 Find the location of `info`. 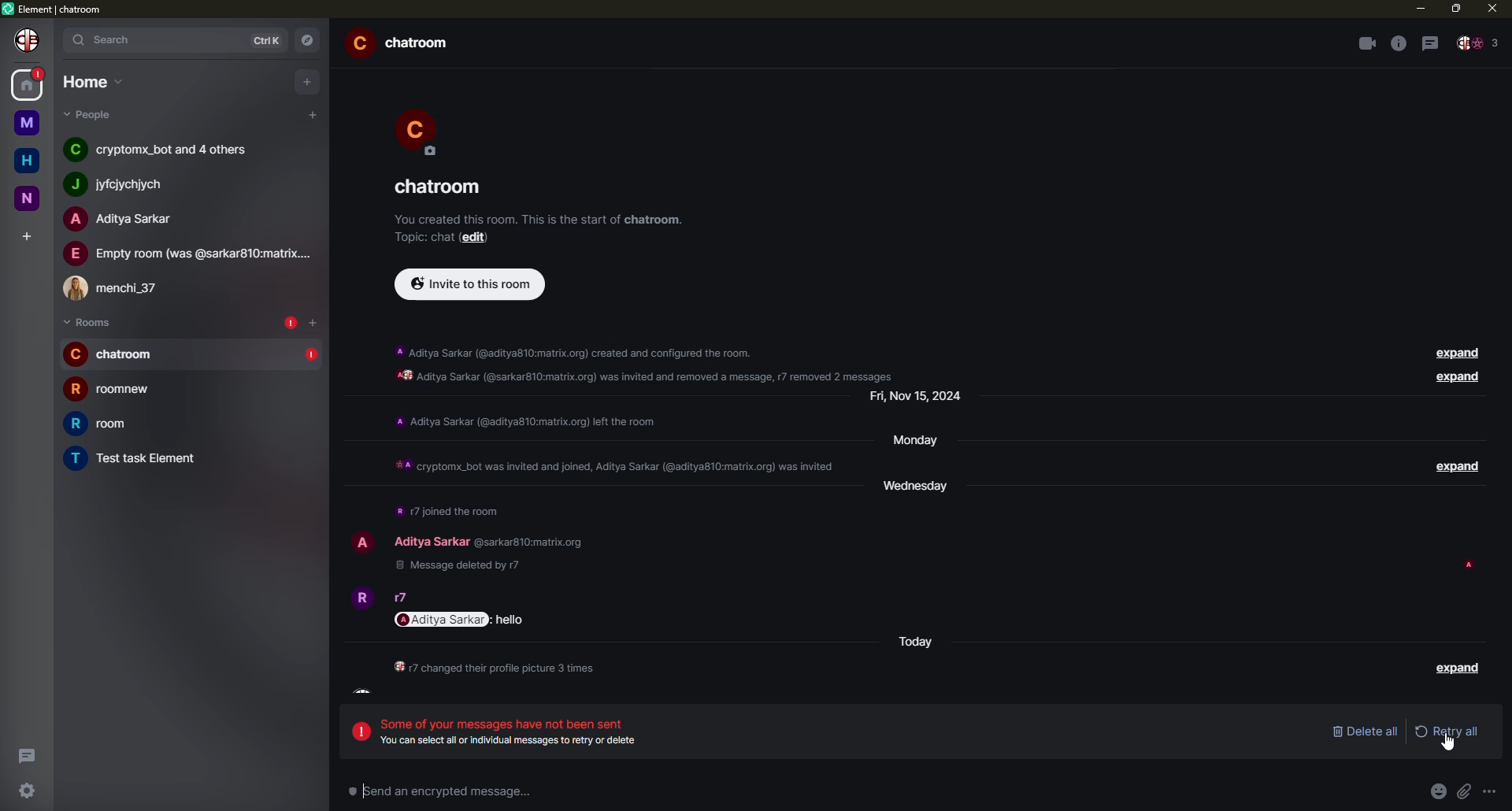

info is located at coordinates (447, 513).